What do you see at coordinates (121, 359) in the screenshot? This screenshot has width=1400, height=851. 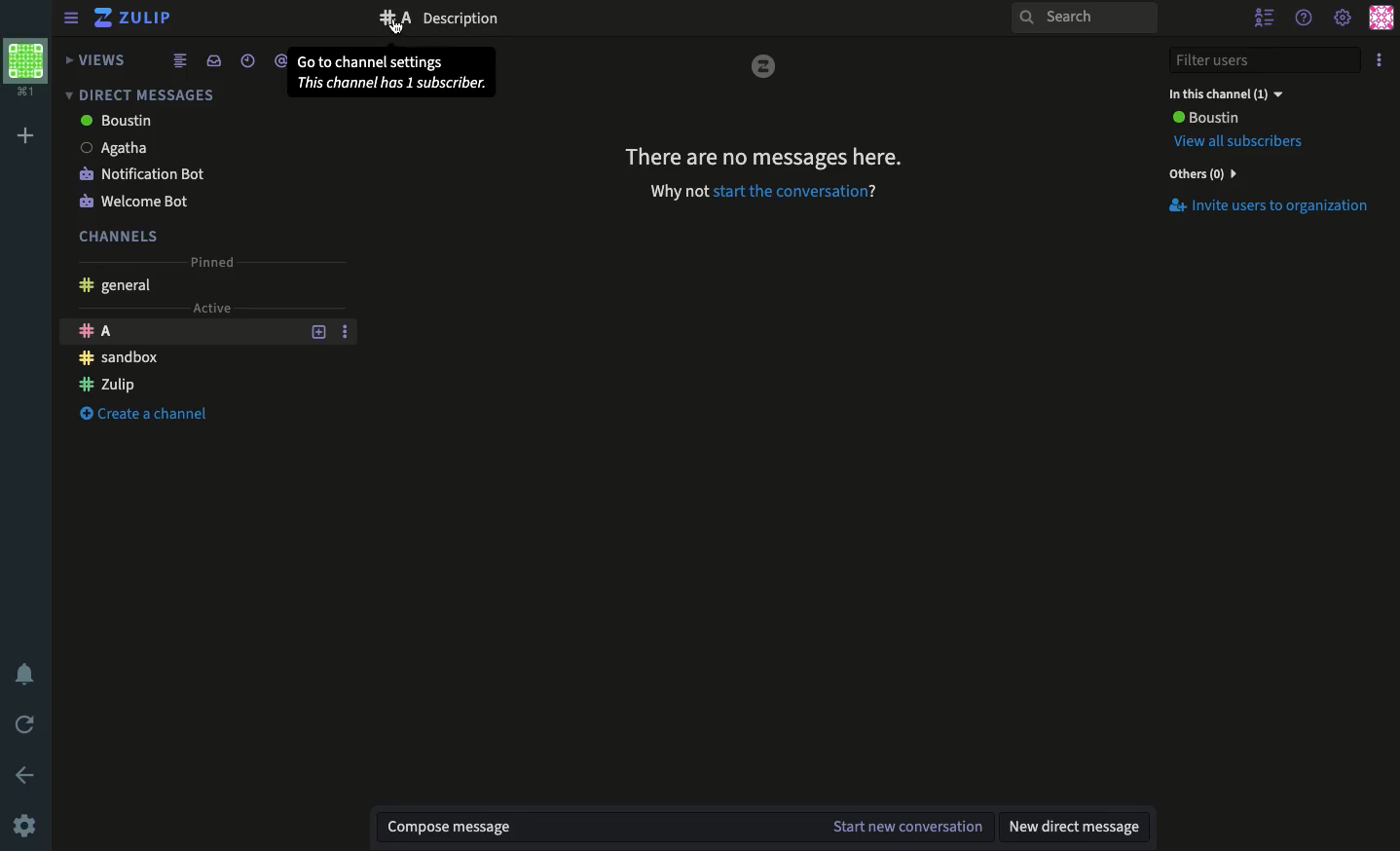 I see `Sandbox` at bounding box center [121, 359].